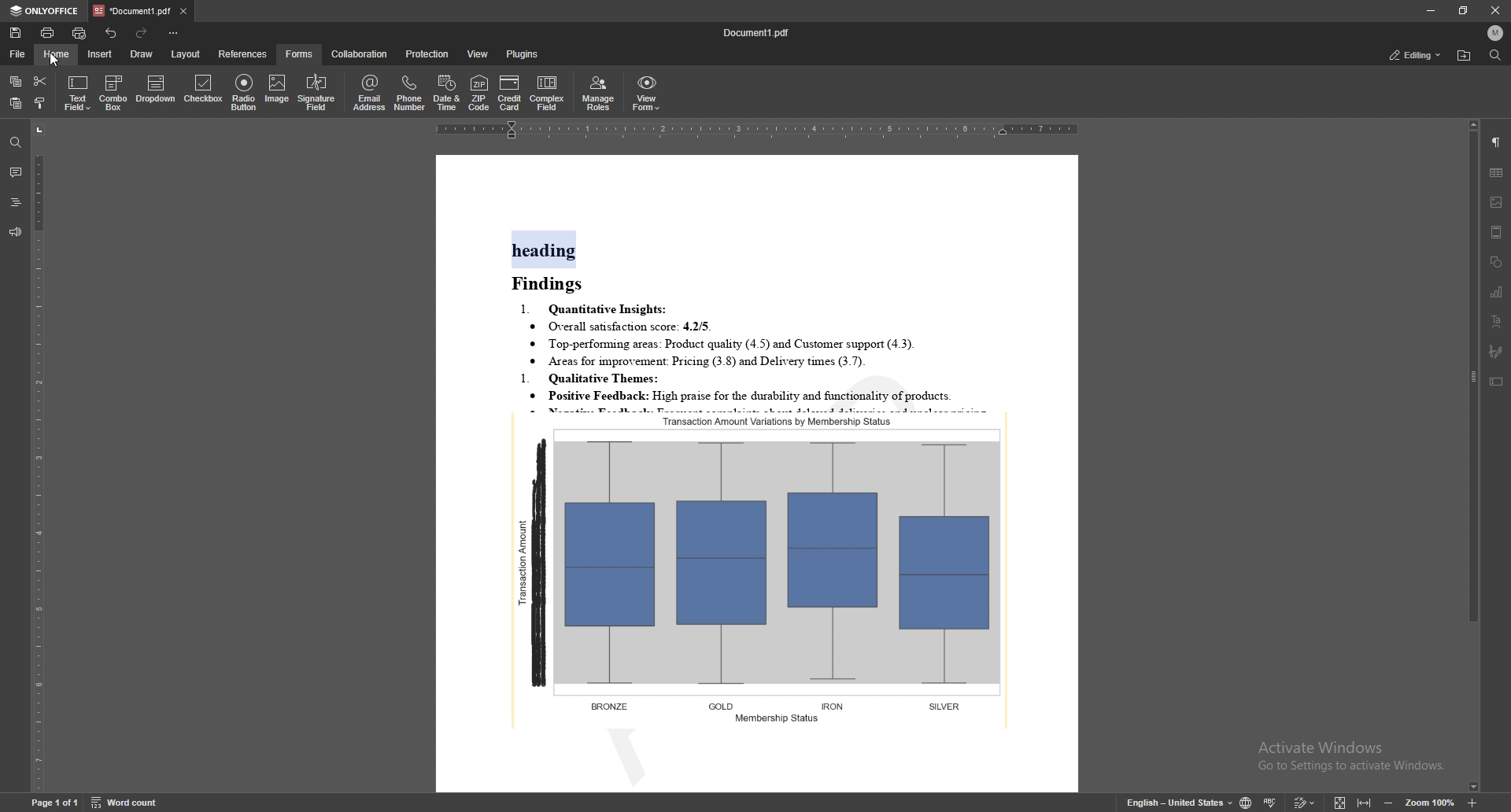 This screenshot has height=812, width=1511. I want to click on minimize, so click(1429, 10).